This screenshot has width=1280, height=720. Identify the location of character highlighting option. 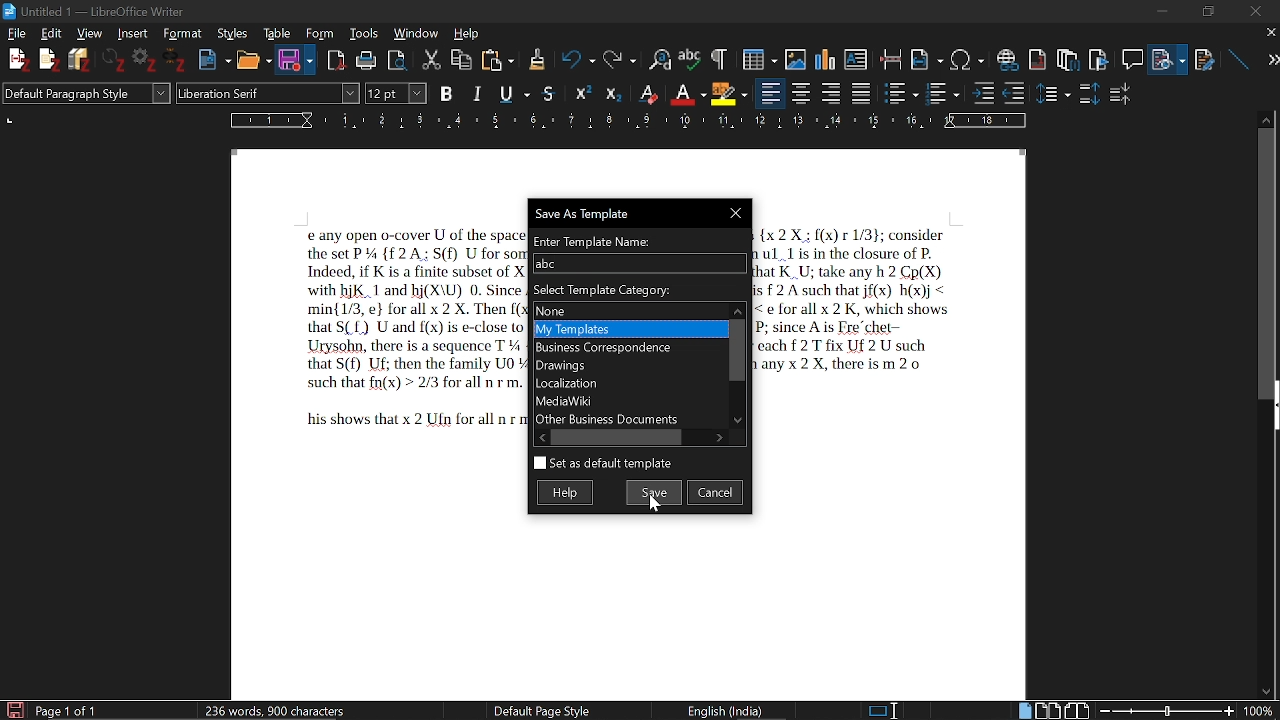
(728, 92).